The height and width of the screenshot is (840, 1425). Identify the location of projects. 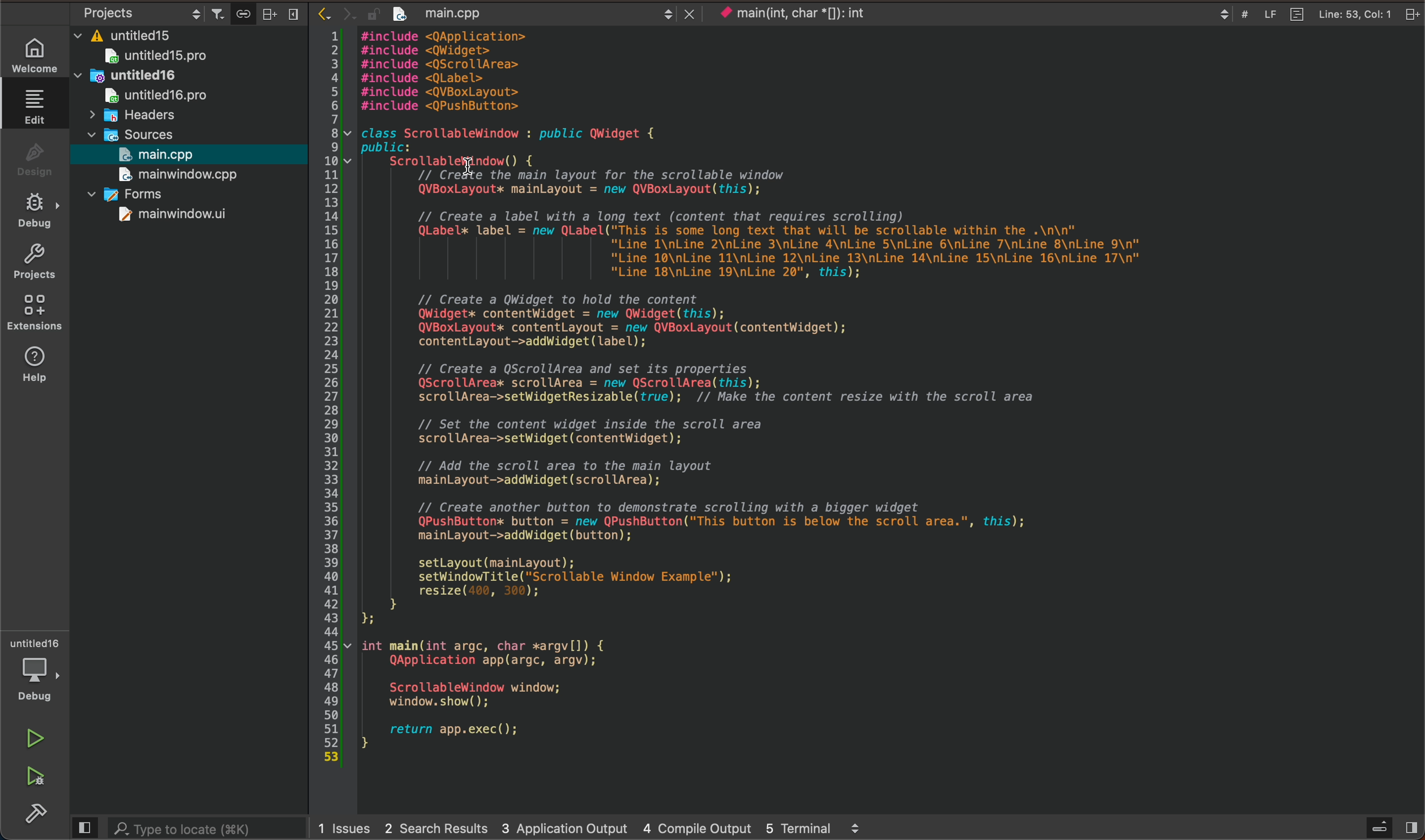
(33, 263).